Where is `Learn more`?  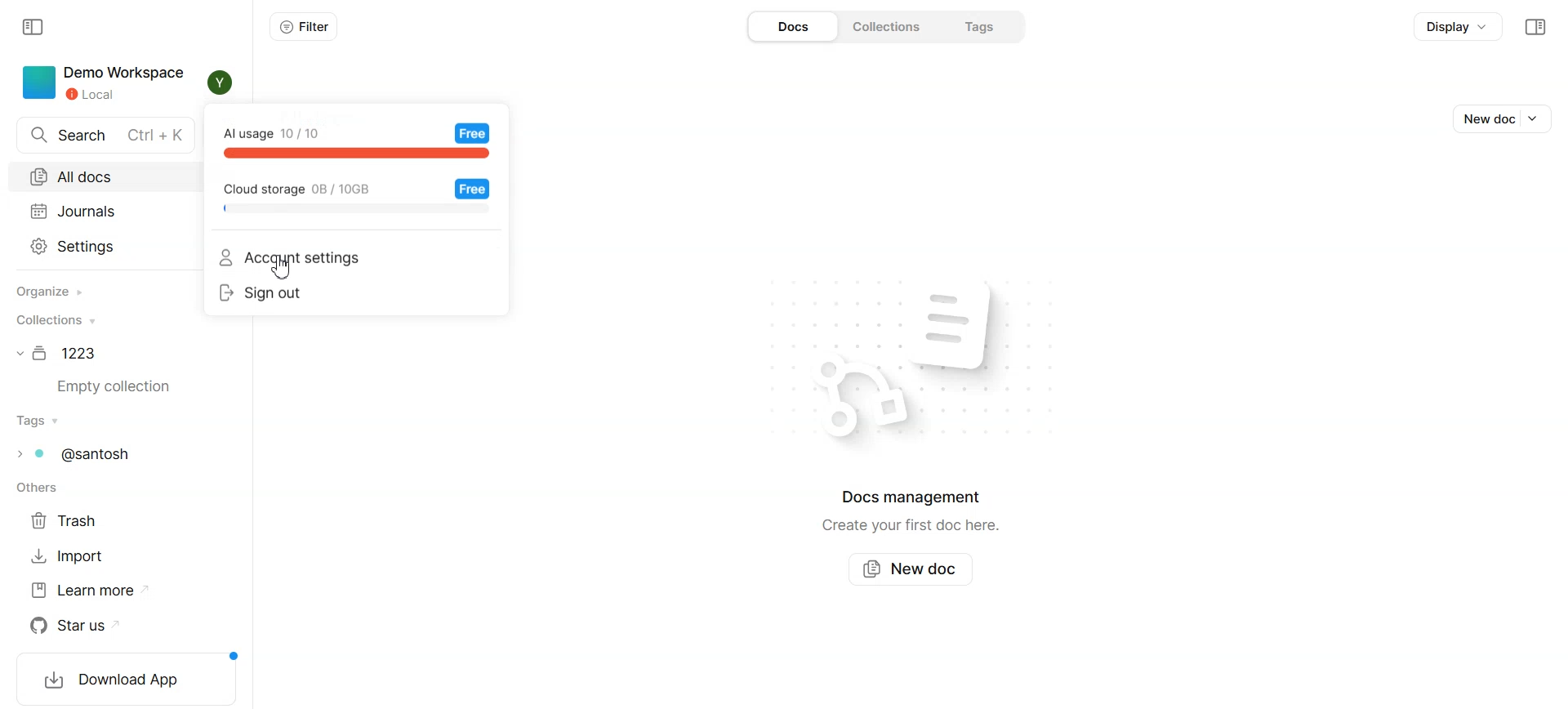 Learn more is located at coordinates (90, 591).